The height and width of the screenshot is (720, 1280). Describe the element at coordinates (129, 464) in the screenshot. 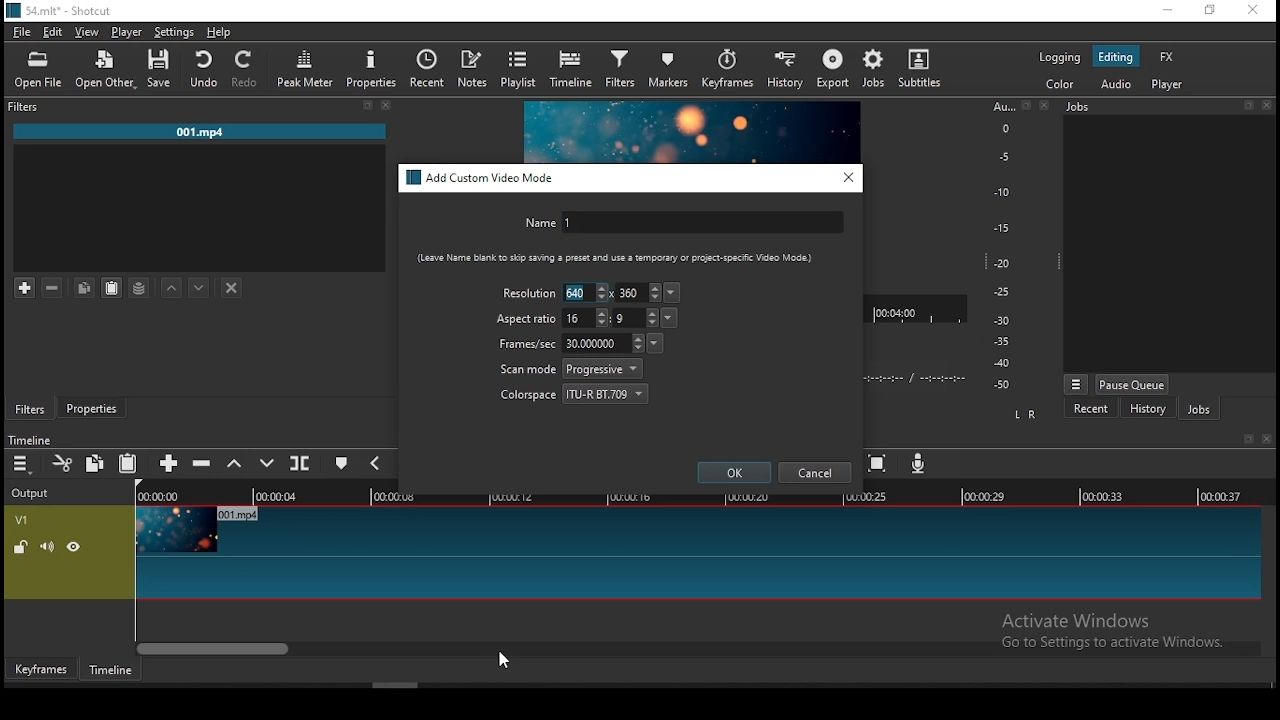

I see `paste` at that location.